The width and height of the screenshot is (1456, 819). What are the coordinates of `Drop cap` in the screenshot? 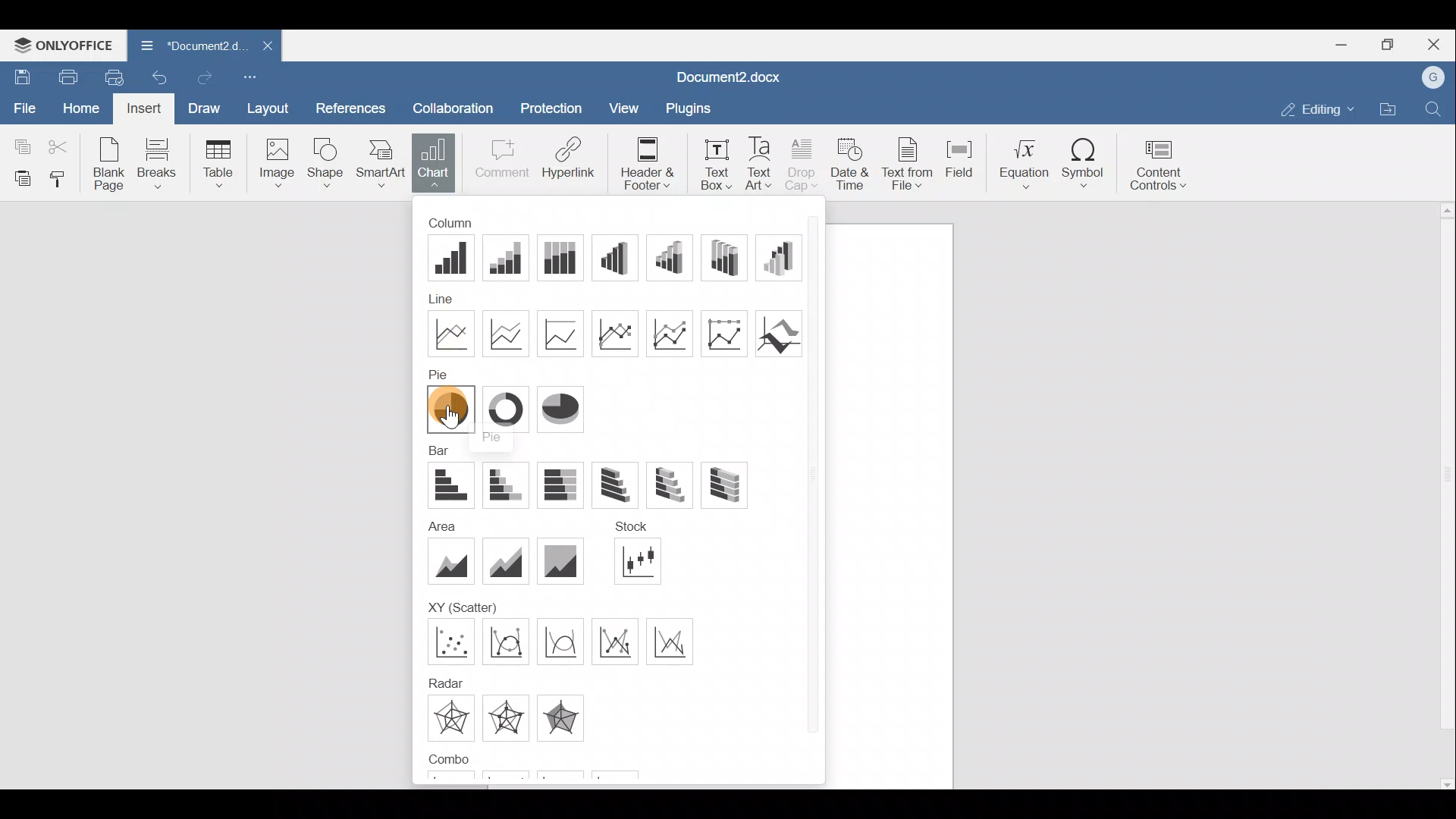 It's located at (802, 162).